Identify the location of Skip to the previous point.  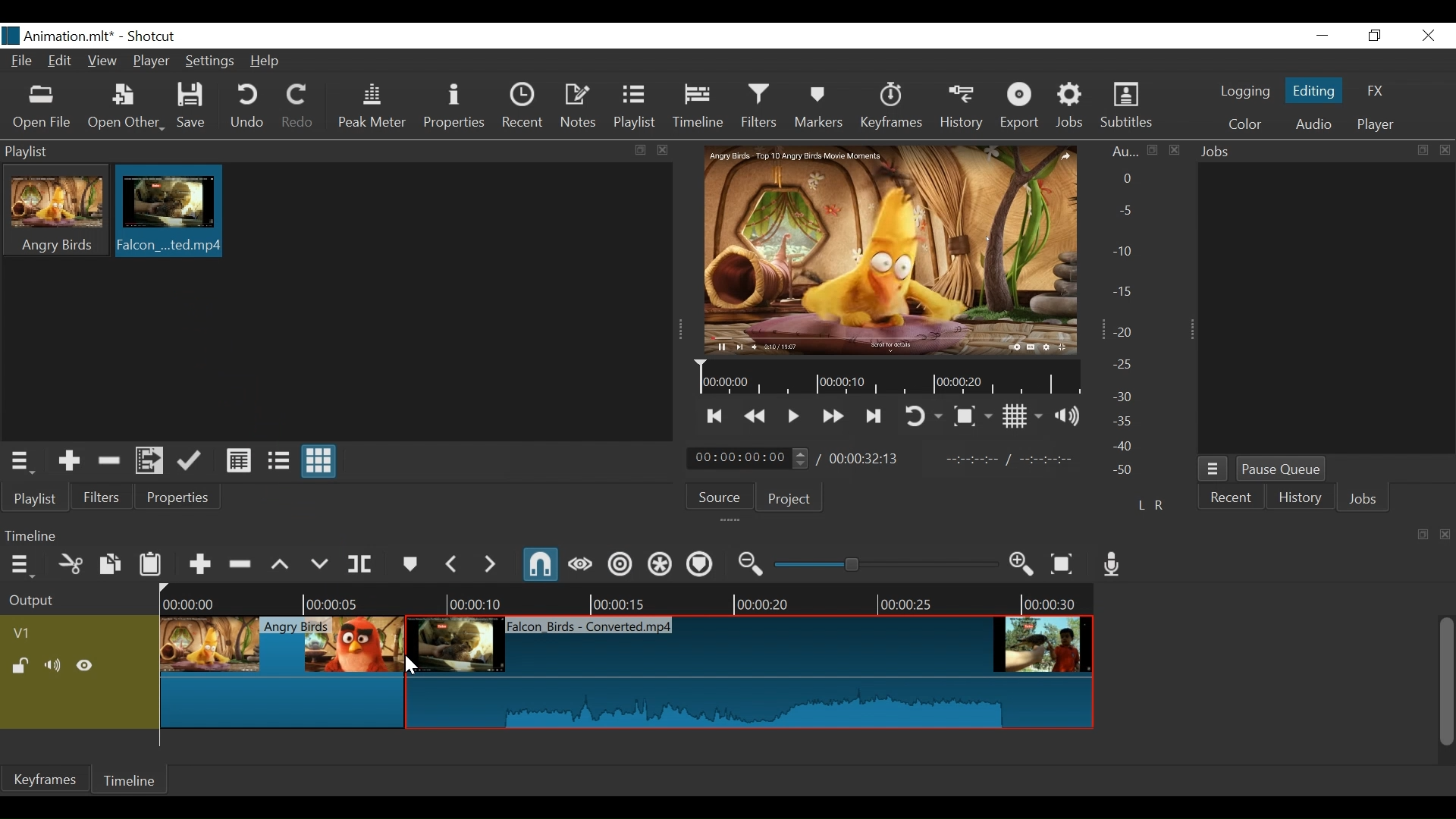
(715, 418).